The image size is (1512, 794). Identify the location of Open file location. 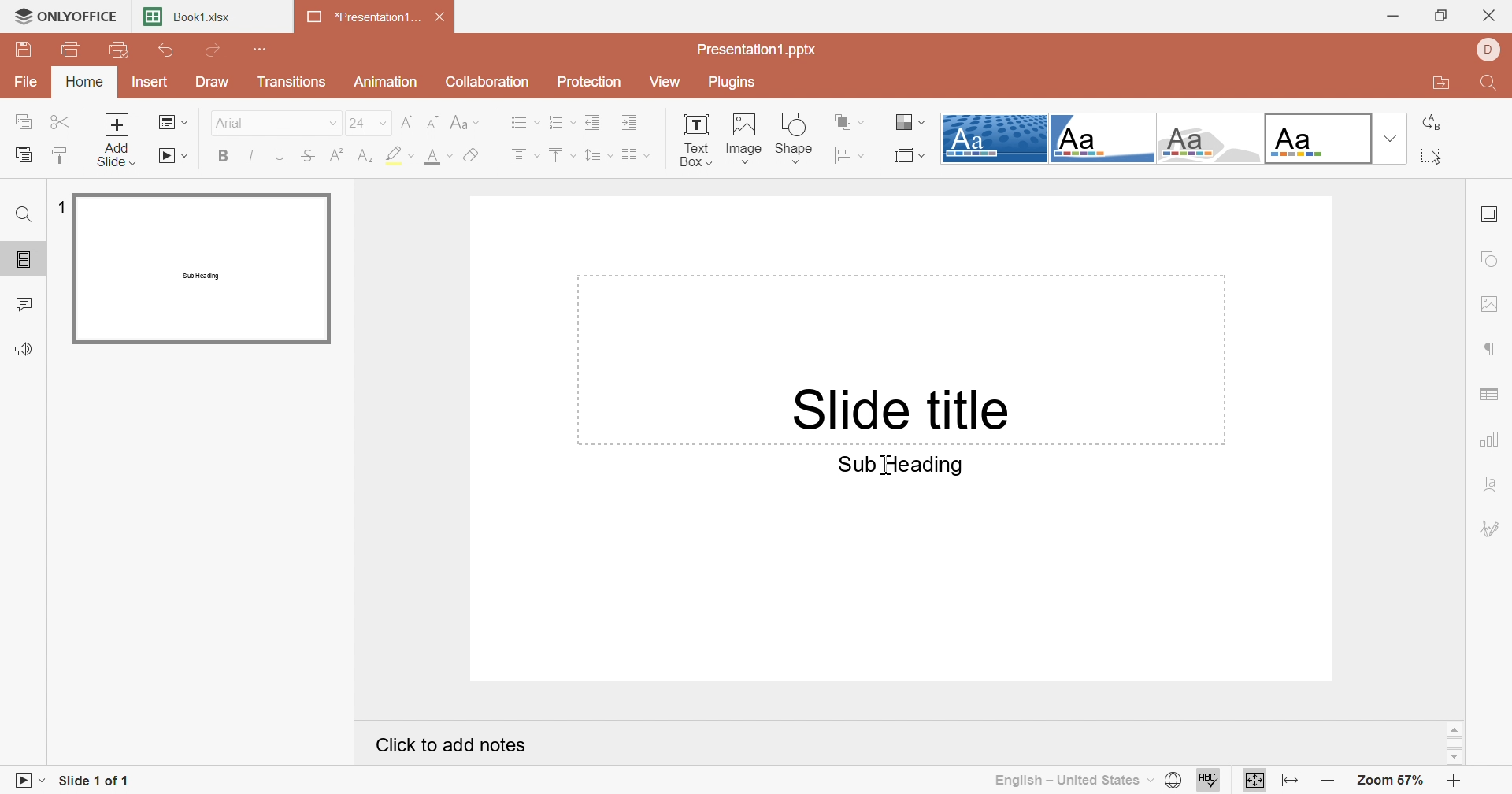
(1444, 84).